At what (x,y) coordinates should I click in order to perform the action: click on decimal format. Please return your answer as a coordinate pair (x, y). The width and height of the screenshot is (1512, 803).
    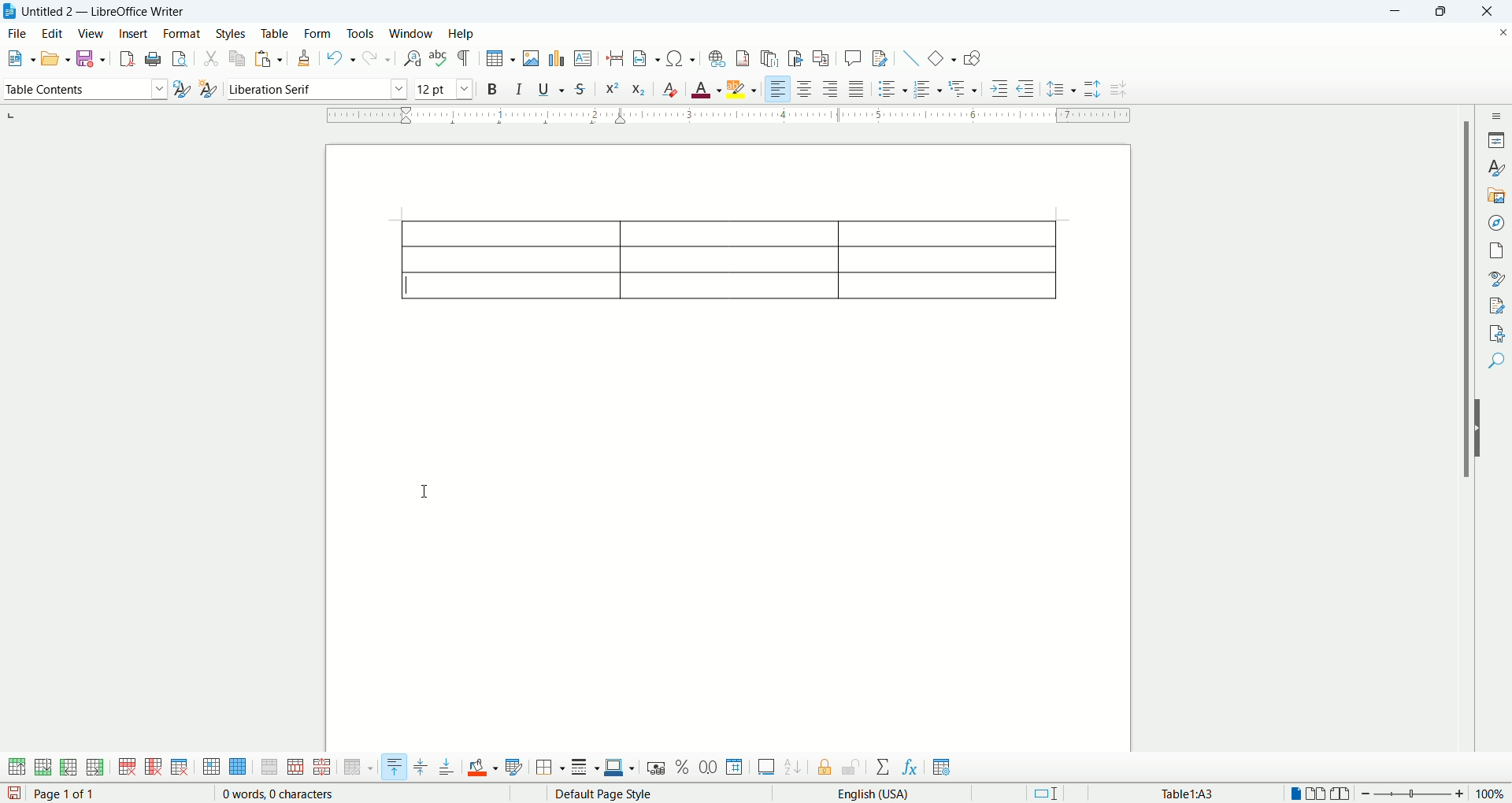
    Looking at the image, I should click on (709, 769).